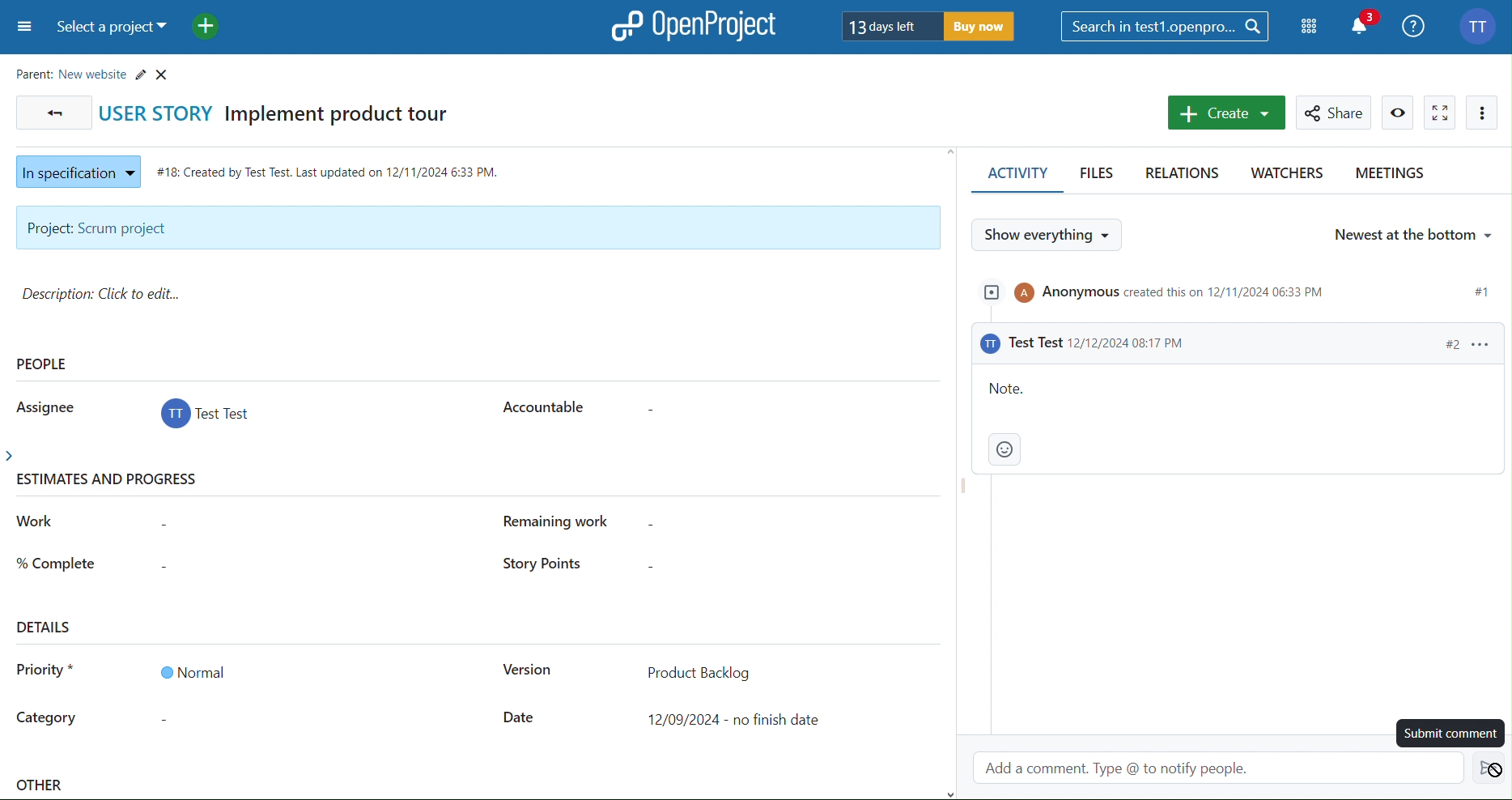 The image size is (1512, 800). Describe the element at coordinates (929, 25) in the screenshot. I see `Trial period timer` at that location.